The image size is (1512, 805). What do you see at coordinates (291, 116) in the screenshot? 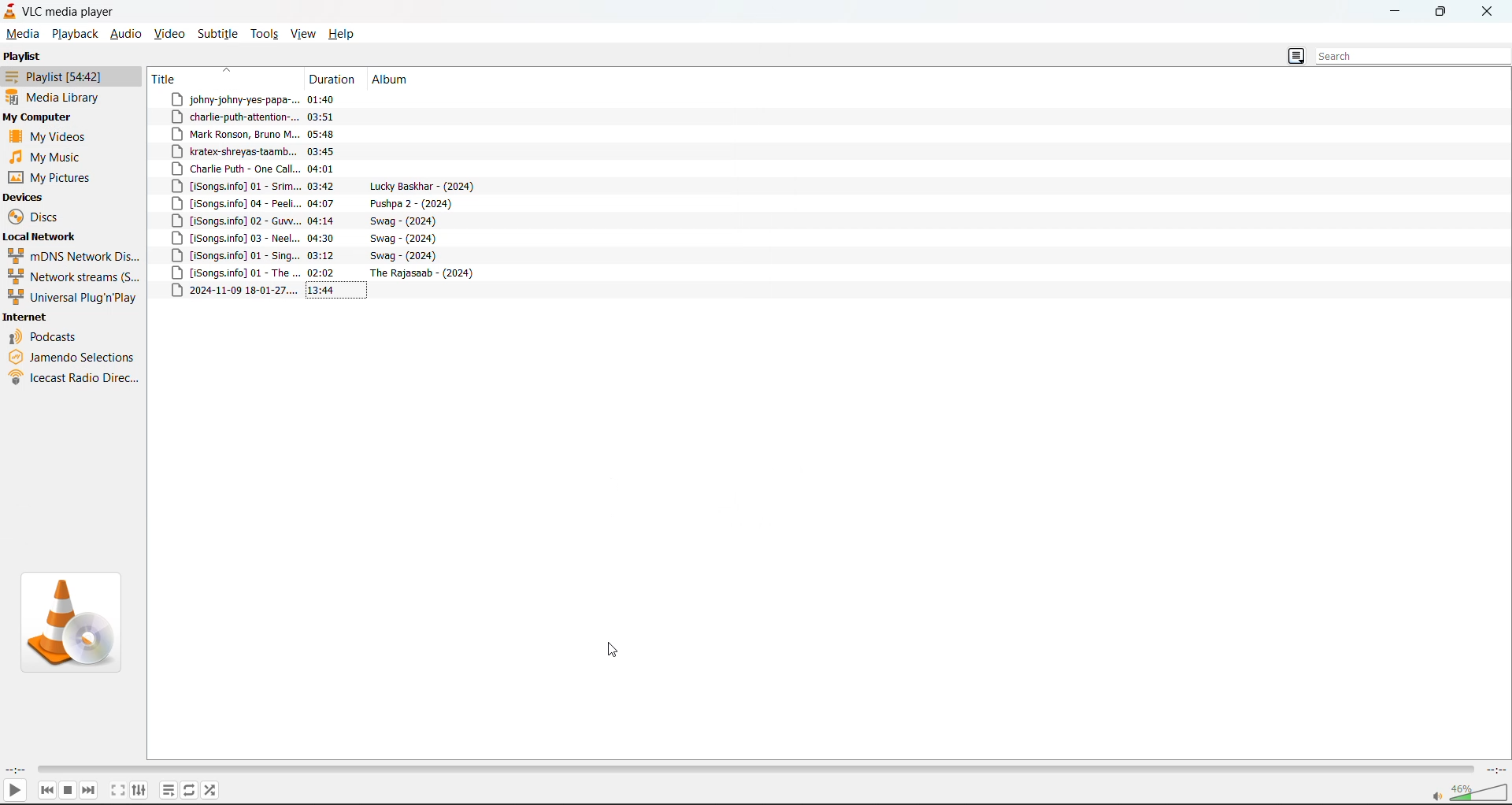
I see `track 2 title, duration and album details` at bounding box center [291, 116].